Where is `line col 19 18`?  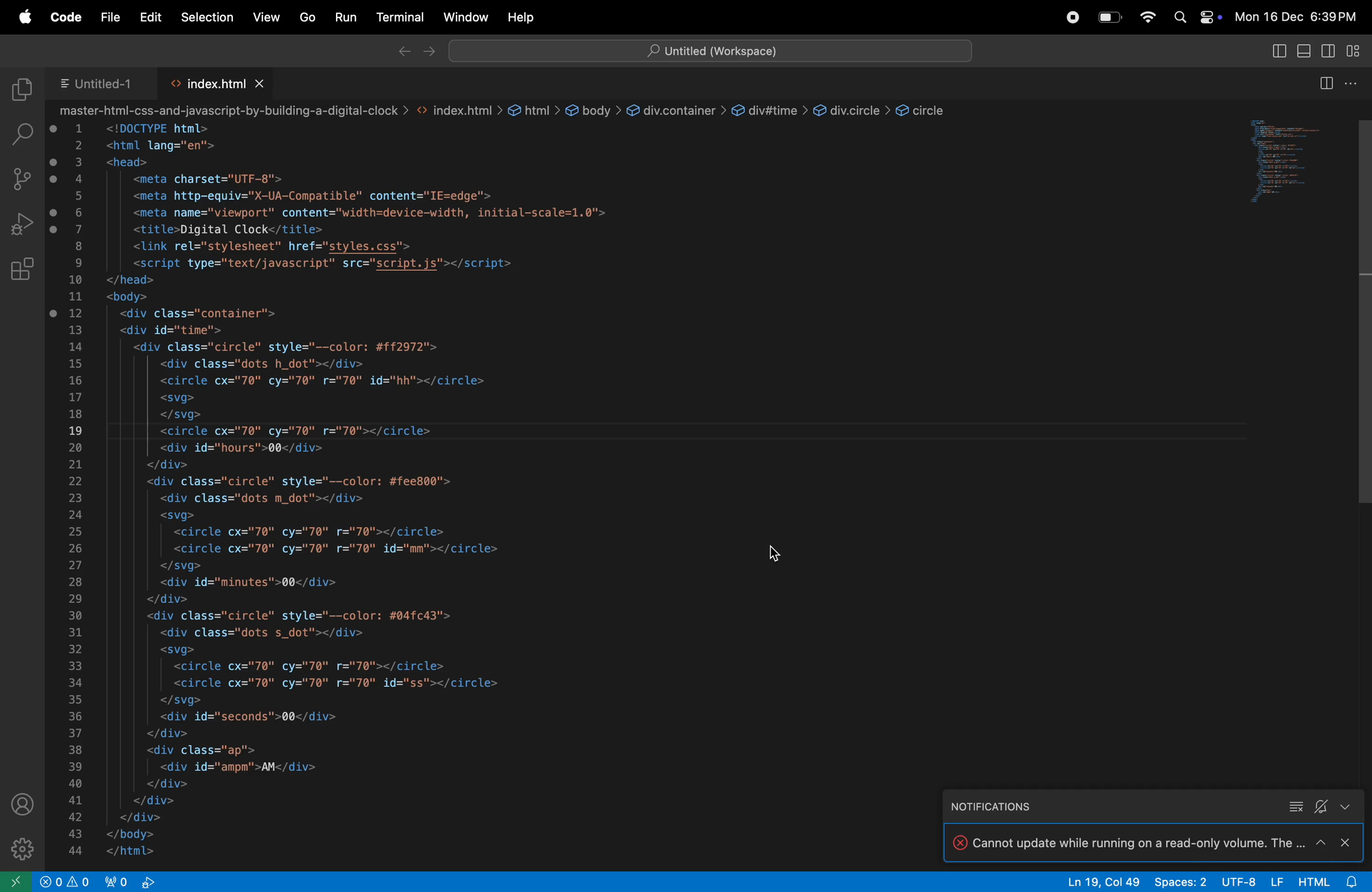
line col 19 18 is located at coordinates (1106, 880).